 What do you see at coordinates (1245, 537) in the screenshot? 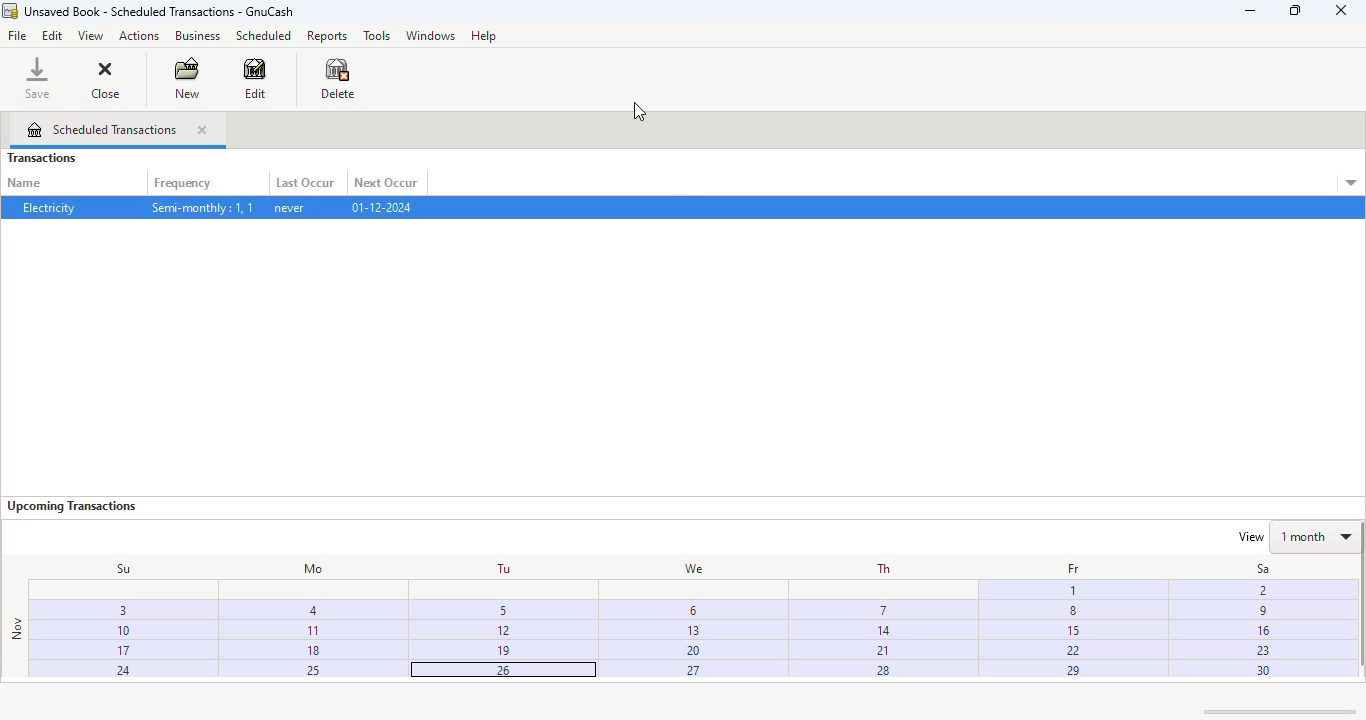
I see `view` at bounding box center [1245, 537].